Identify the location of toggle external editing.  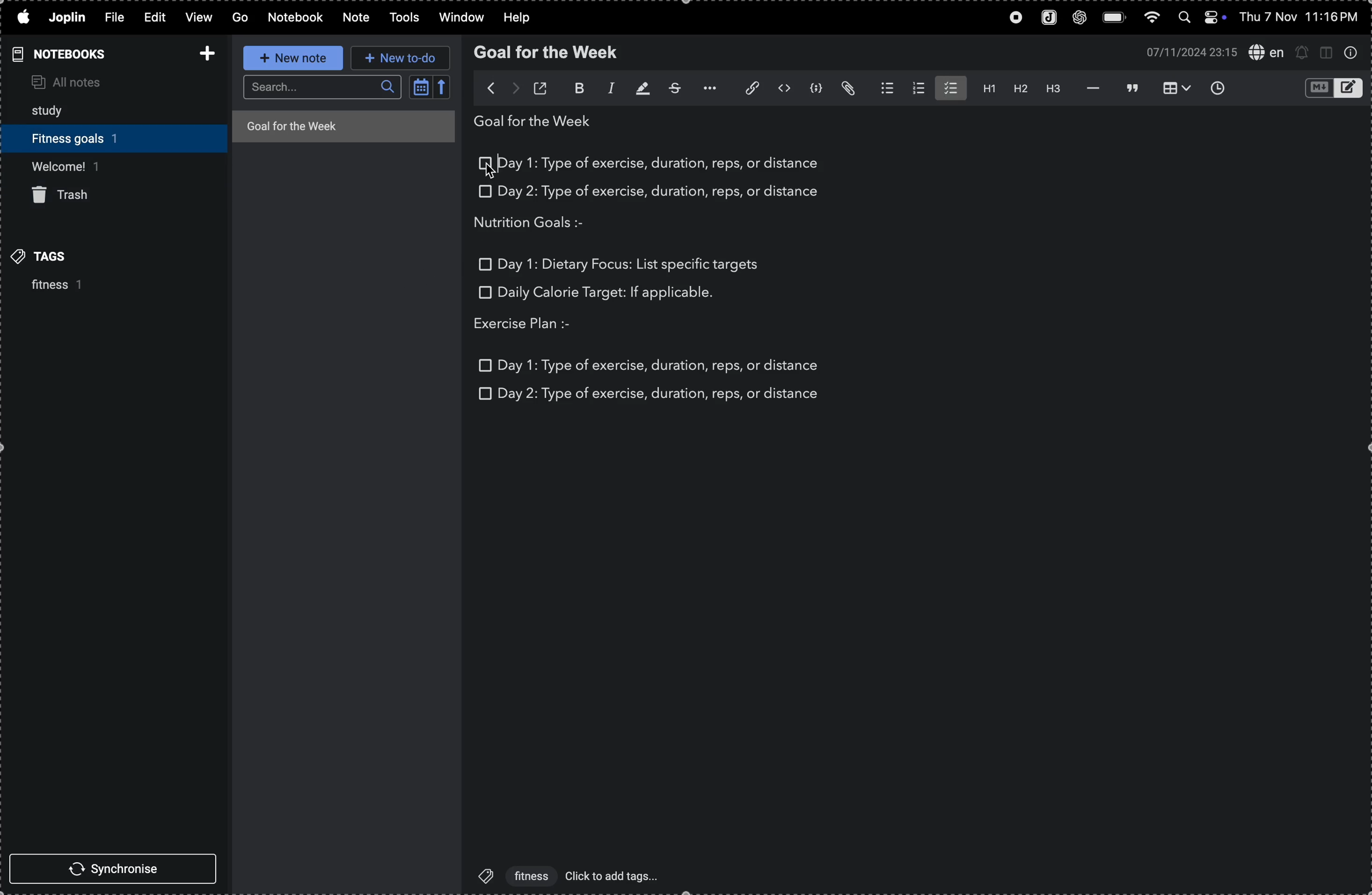
(543, 87).